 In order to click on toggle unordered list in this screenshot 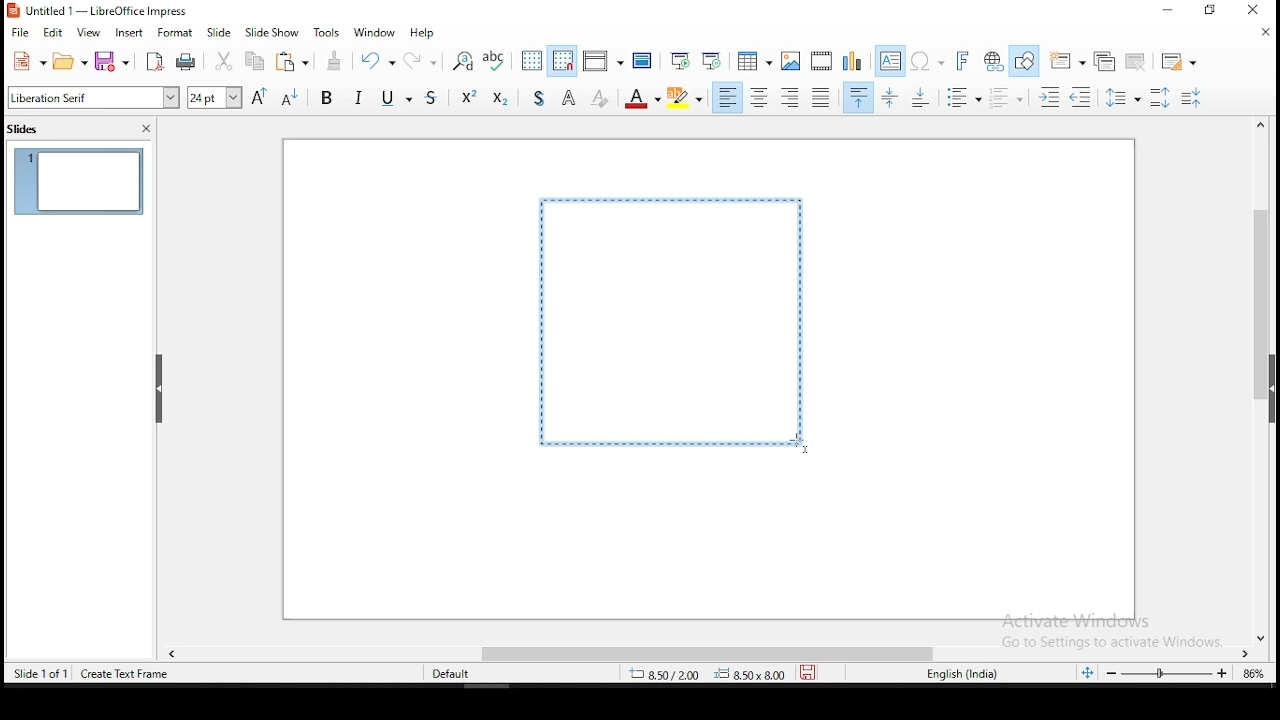, I will do `click(964, 99)`.